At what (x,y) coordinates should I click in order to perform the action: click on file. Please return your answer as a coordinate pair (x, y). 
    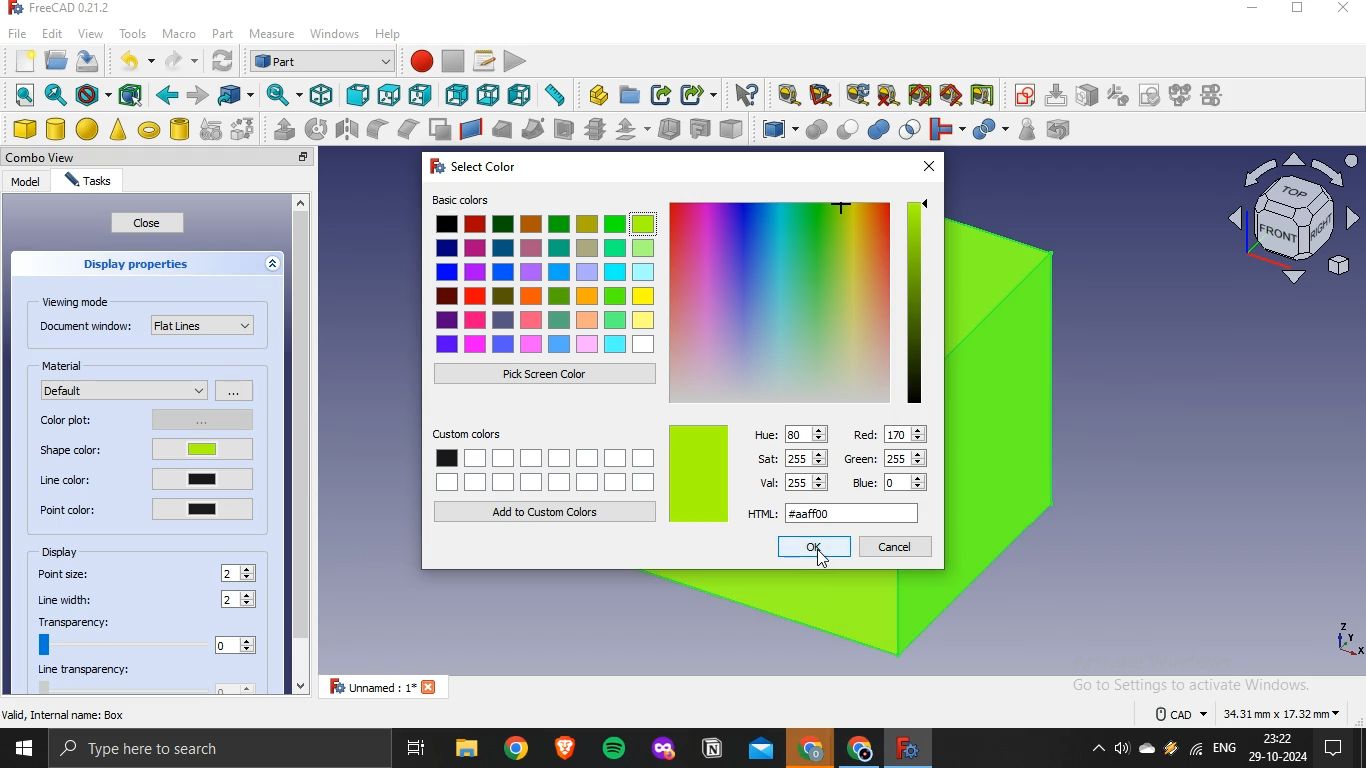
    Looking at the image, I should click on (18, 32).